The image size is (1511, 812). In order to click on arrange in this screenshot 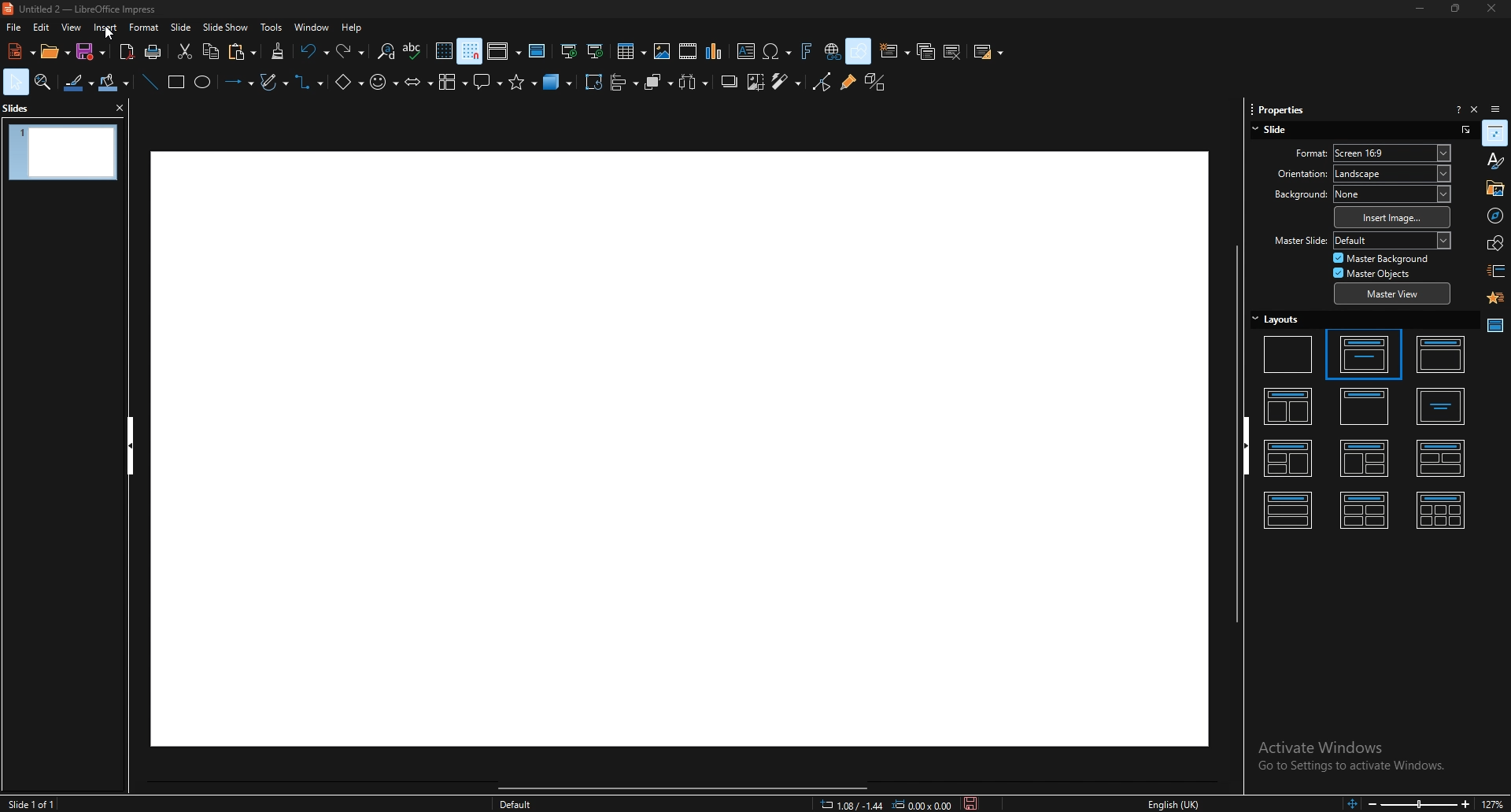, I will do `click(658, 83)`.